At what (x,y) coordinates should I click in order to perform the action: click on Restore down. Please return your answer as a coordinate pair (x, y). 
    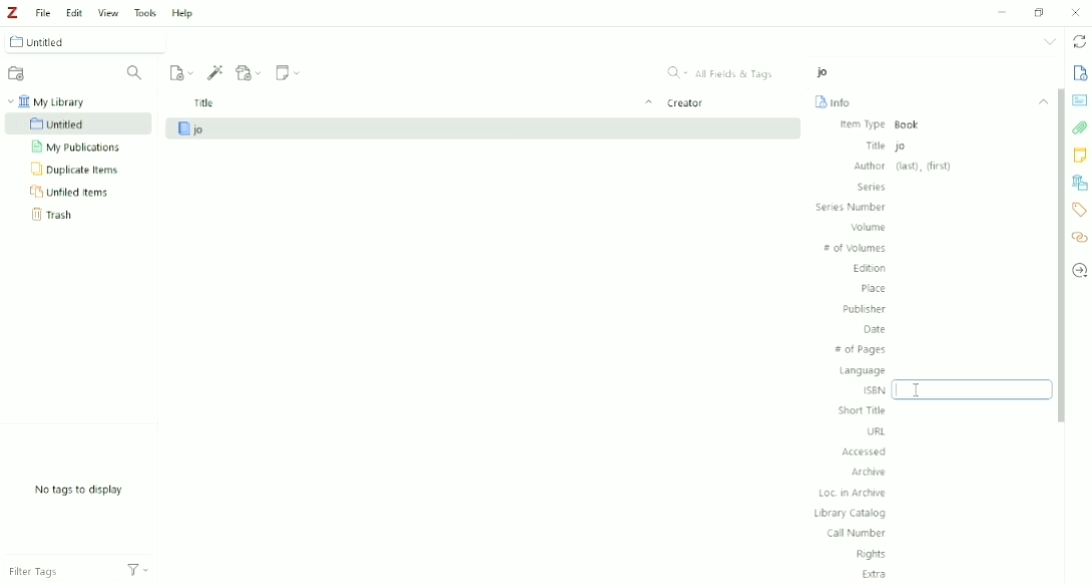
    Looking at the image, I should click on (1038, 12).